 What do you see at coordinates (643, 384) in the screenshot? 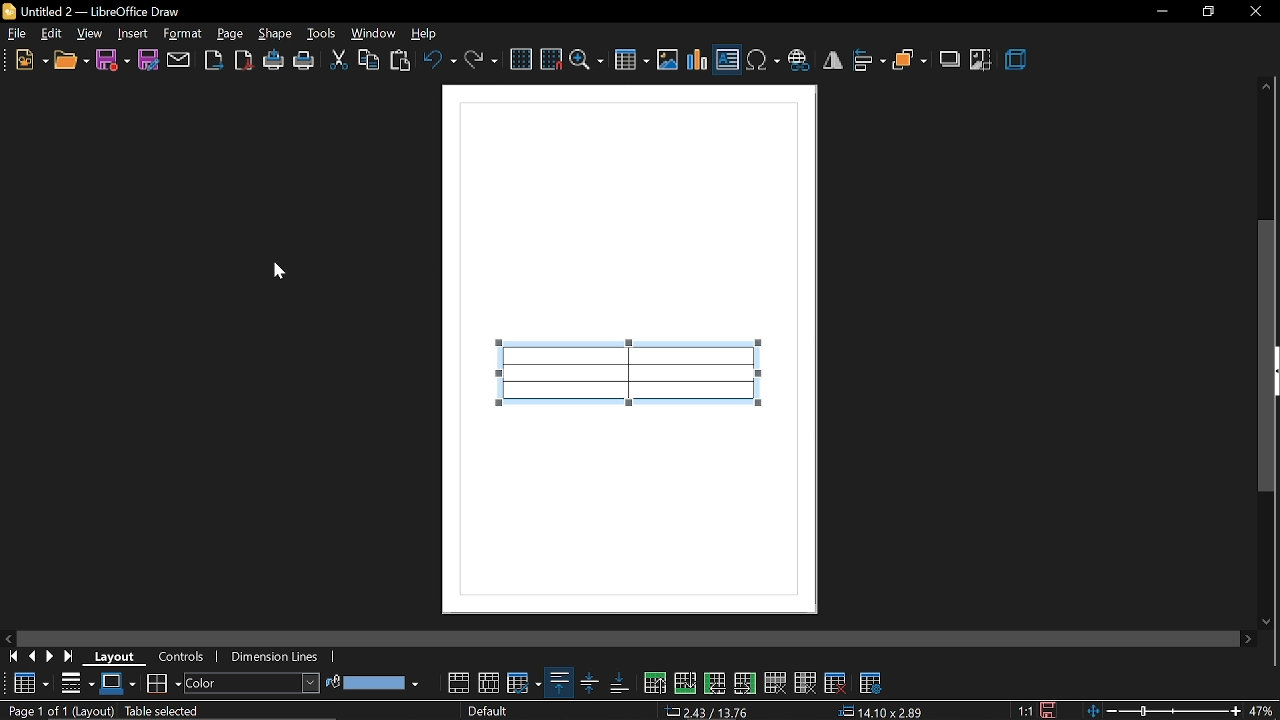
I see `Table added` at bounding box center [643, 384].